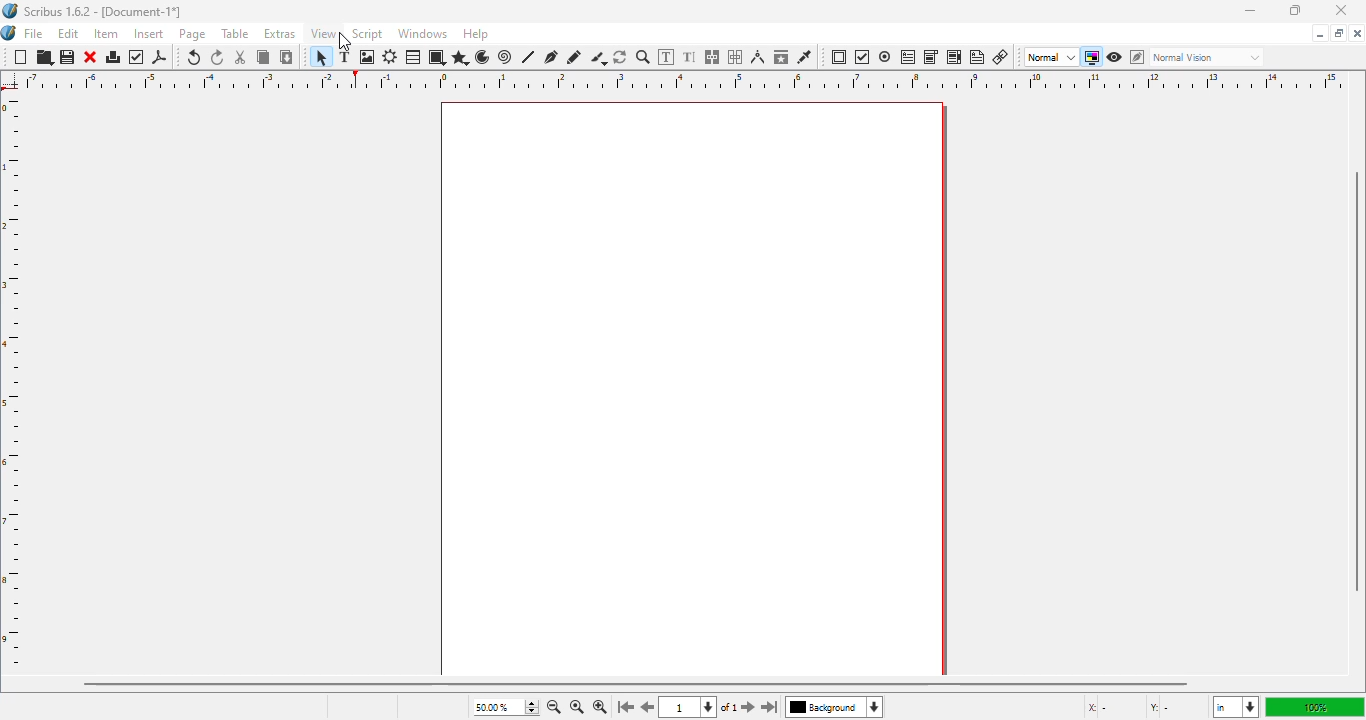 The height and width of the screenshot is (720, 1366). I want to click on spiral, so click(505, 57).